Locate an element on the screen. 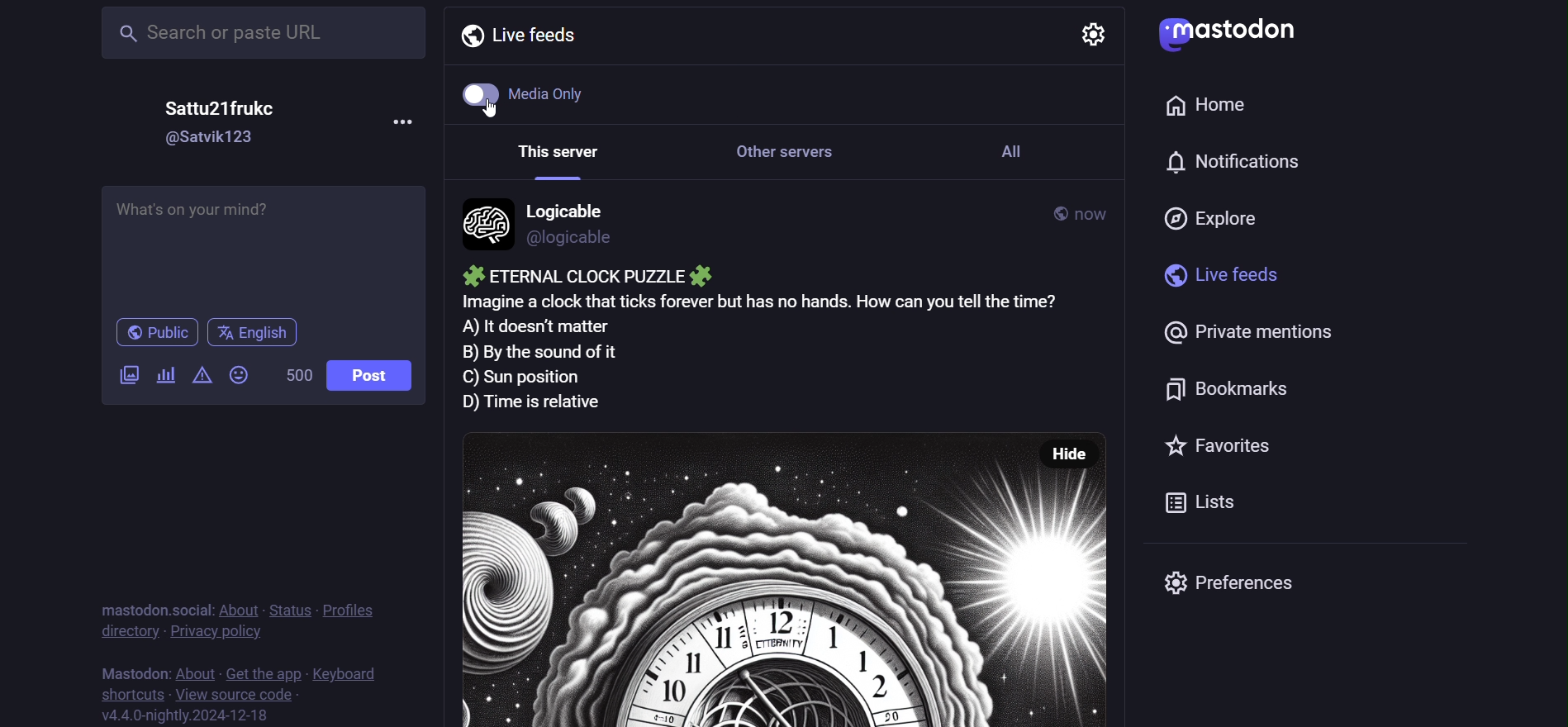  status is located at coordinates (290, 610).